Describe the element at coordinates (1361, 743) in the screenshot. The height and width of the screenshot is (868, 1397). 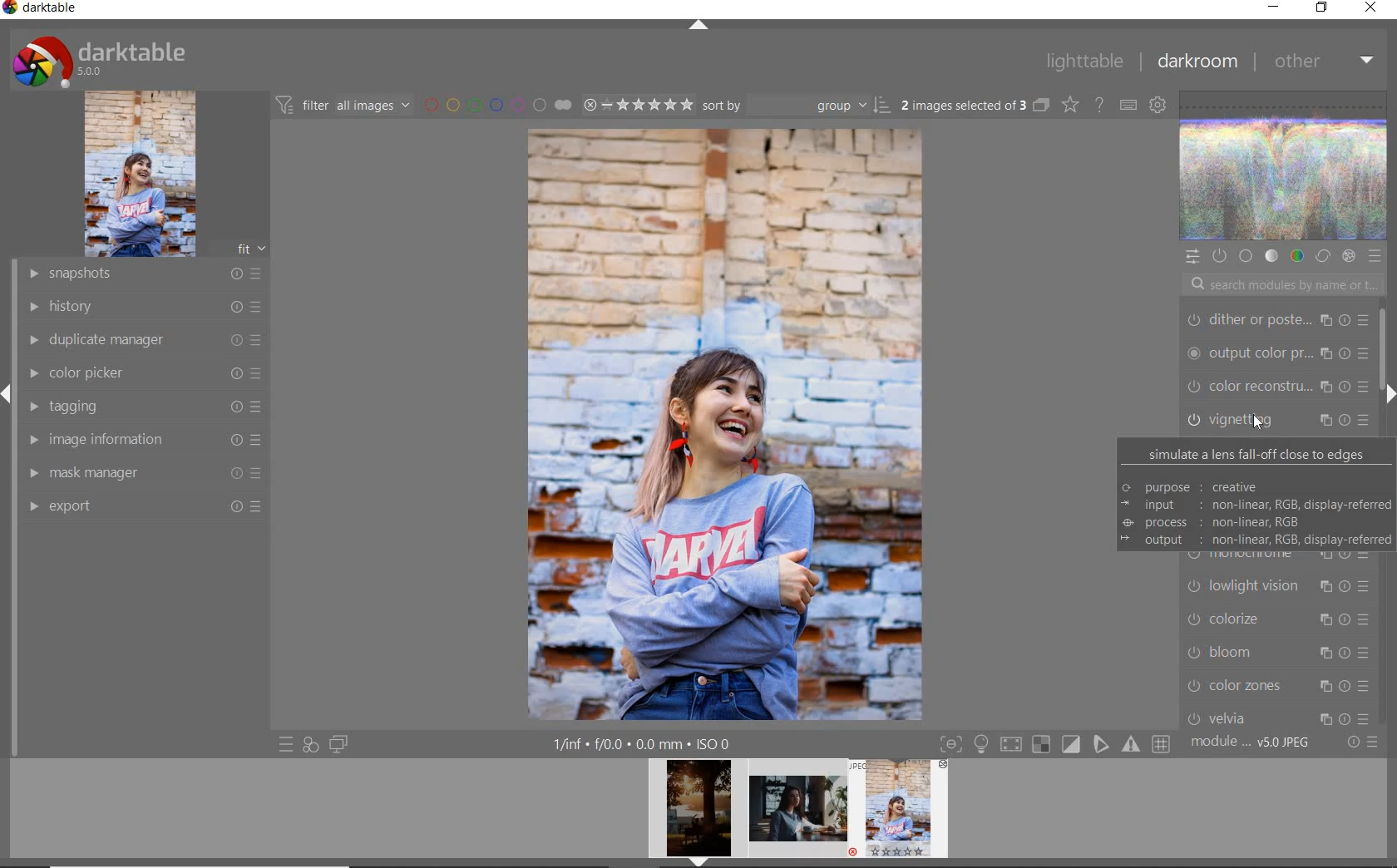
I see `reset or preset preference` at that location.